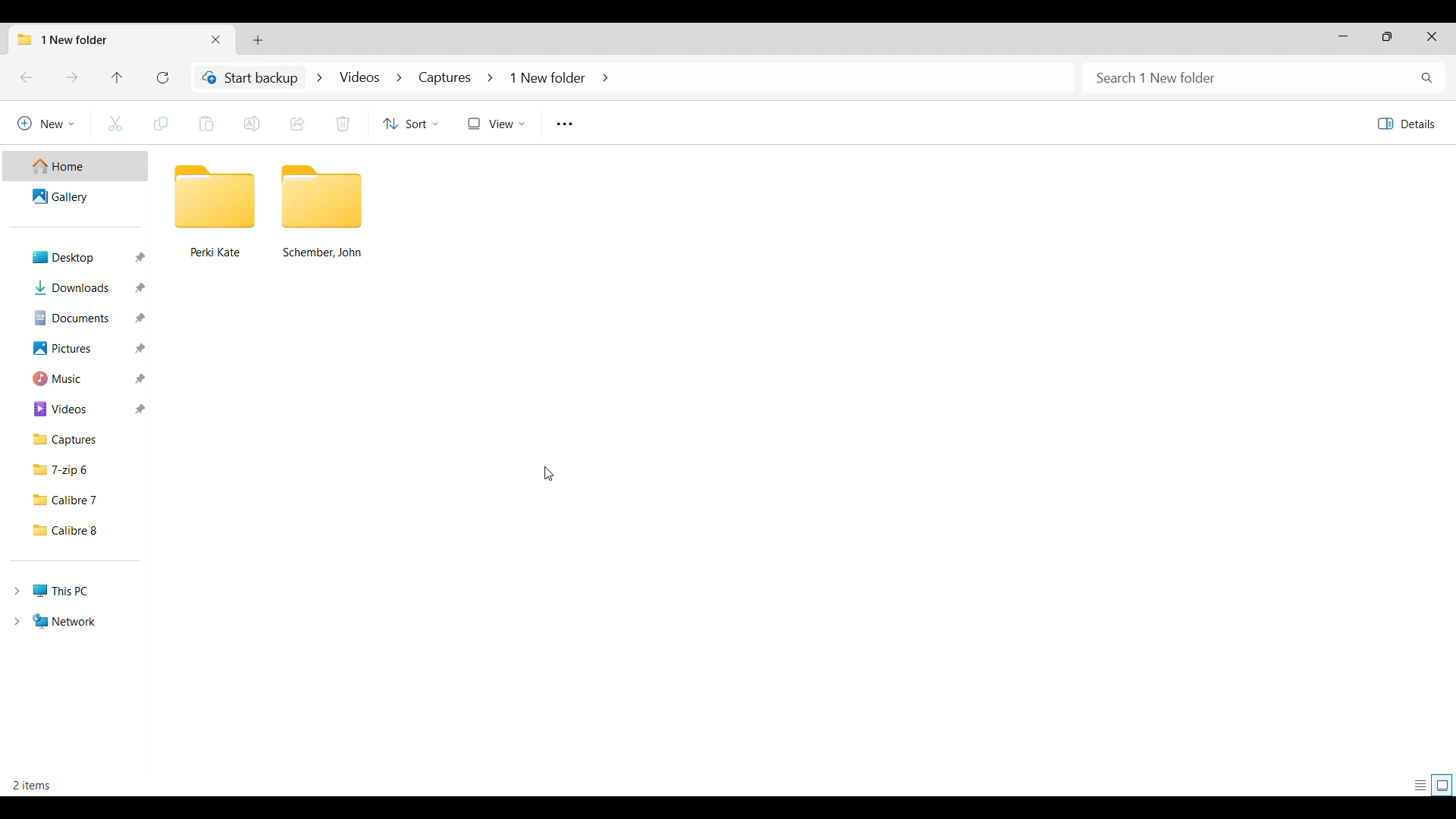 The image size is (1456, 819). I want to click on Close current tab, so click(215, 39).